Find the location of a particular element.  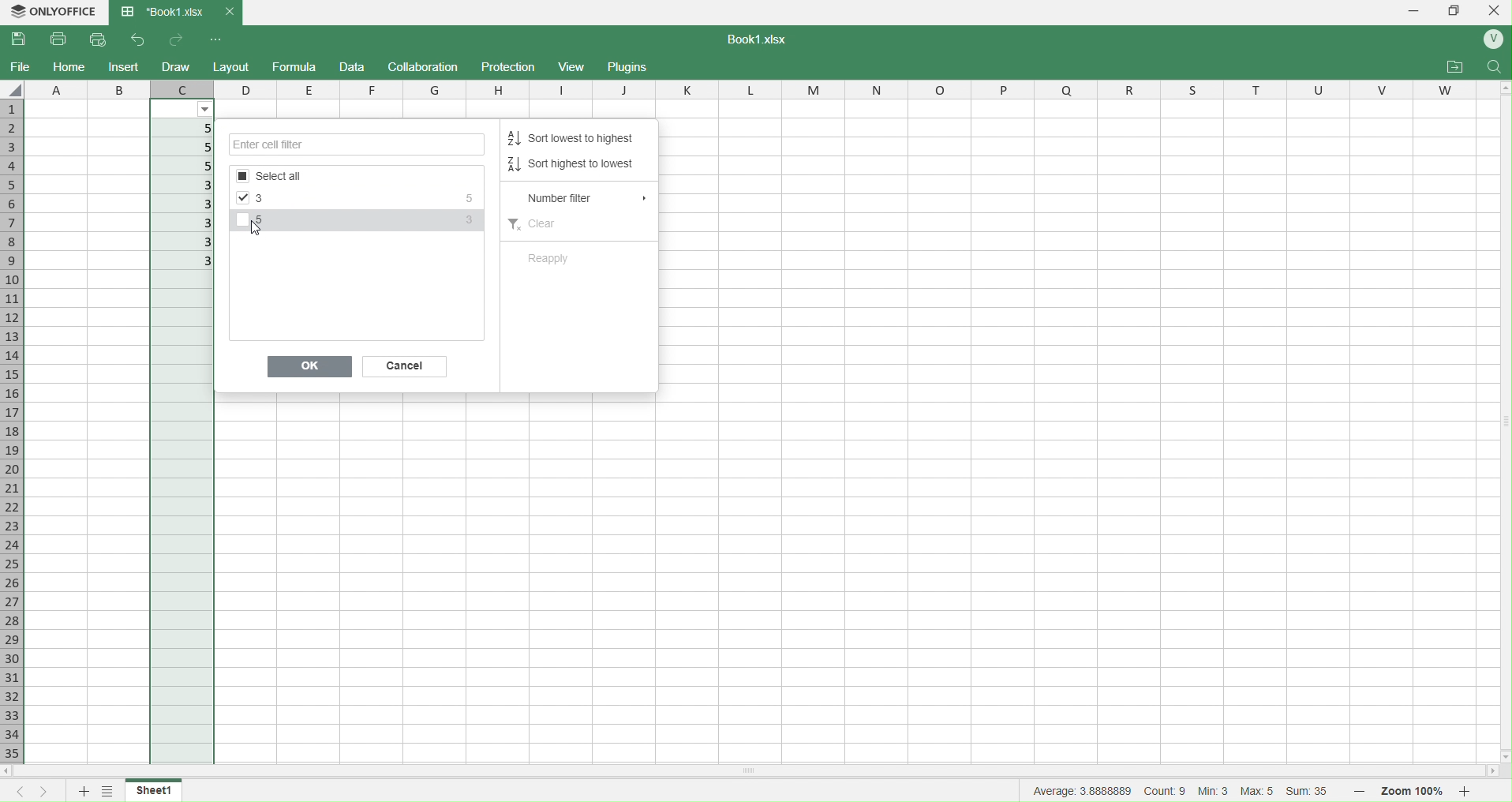

Quick Print is located at coordinates (98, 39).